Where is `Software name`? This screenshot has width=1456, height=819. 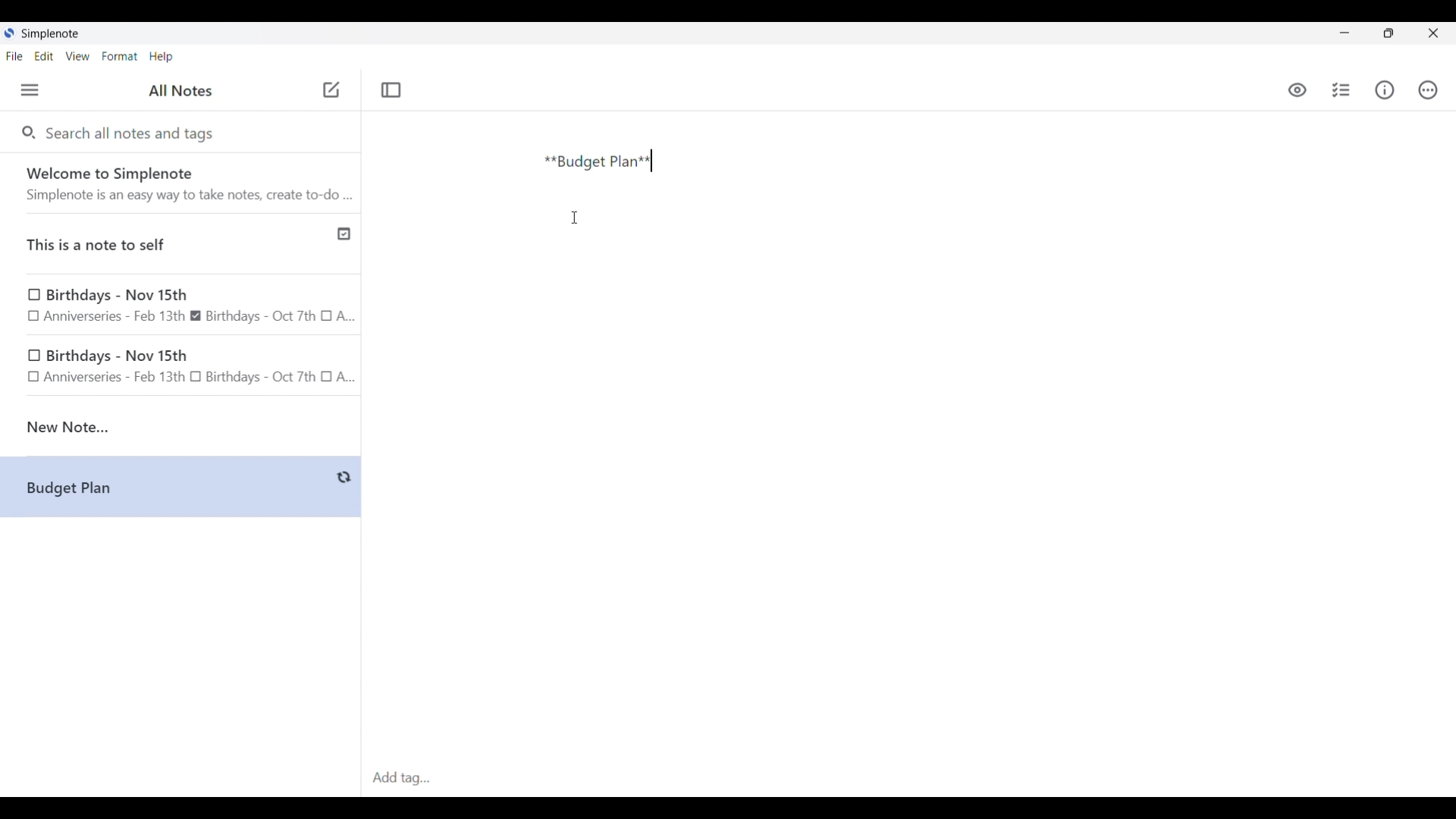 Software name is located at coordinates (52, 34).